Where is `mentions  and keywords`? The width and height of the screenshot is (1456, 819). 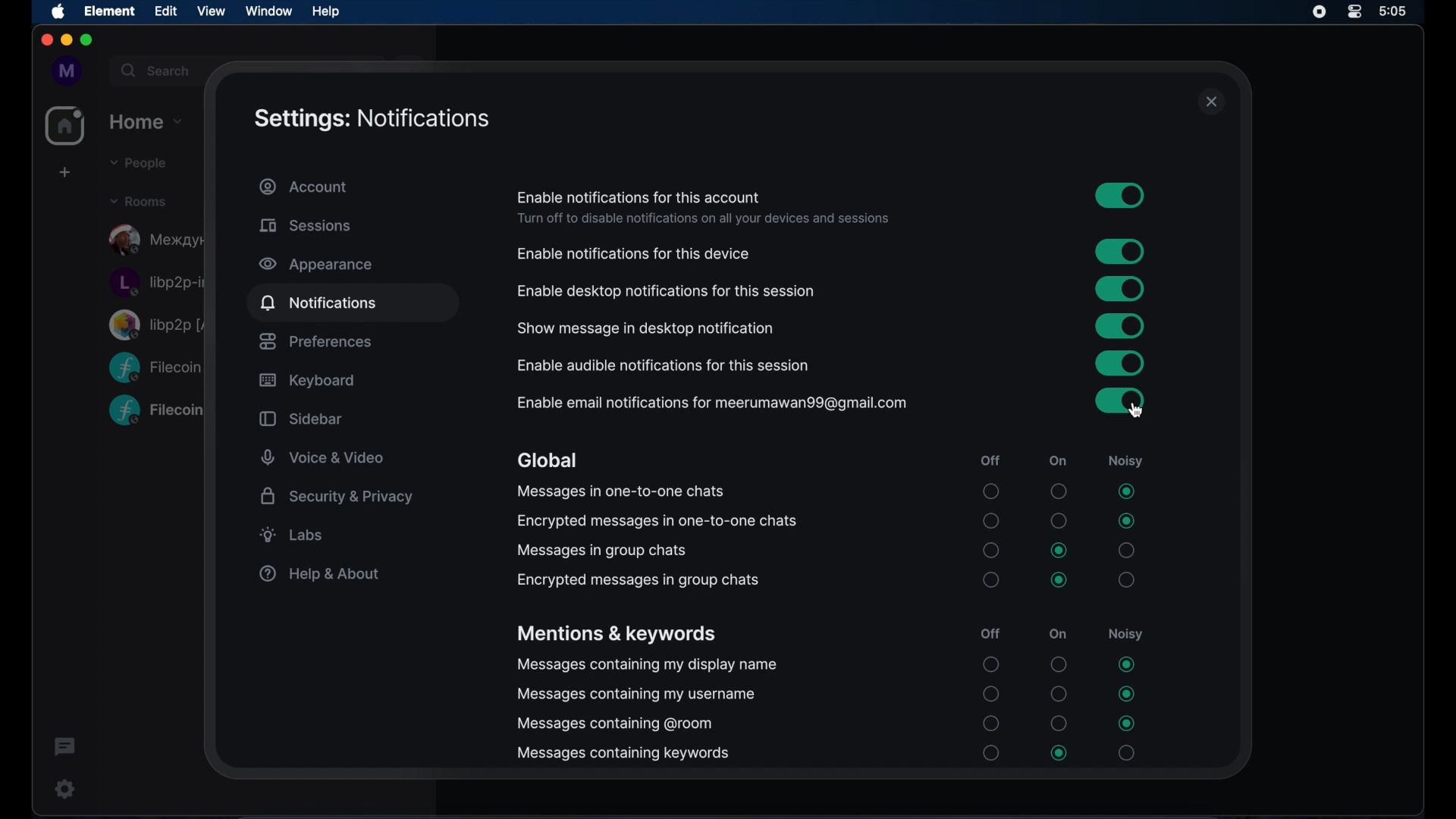 mentions  and keywords is located at coordinates (616, 635).